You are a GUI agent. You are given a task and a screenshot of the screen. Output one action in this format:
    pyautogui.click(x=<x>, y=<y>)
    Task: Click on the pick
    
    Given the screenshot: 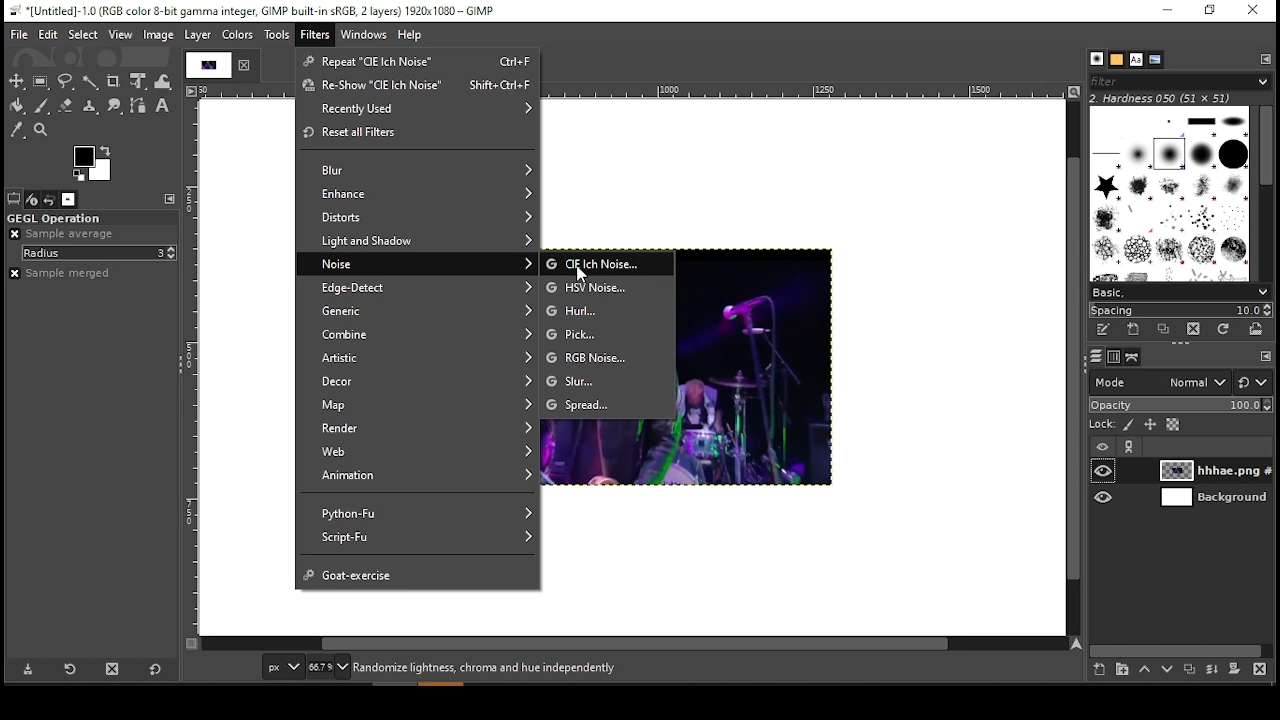 What is the action you would take?
    pyautogui.click(x=609, y=335)
    